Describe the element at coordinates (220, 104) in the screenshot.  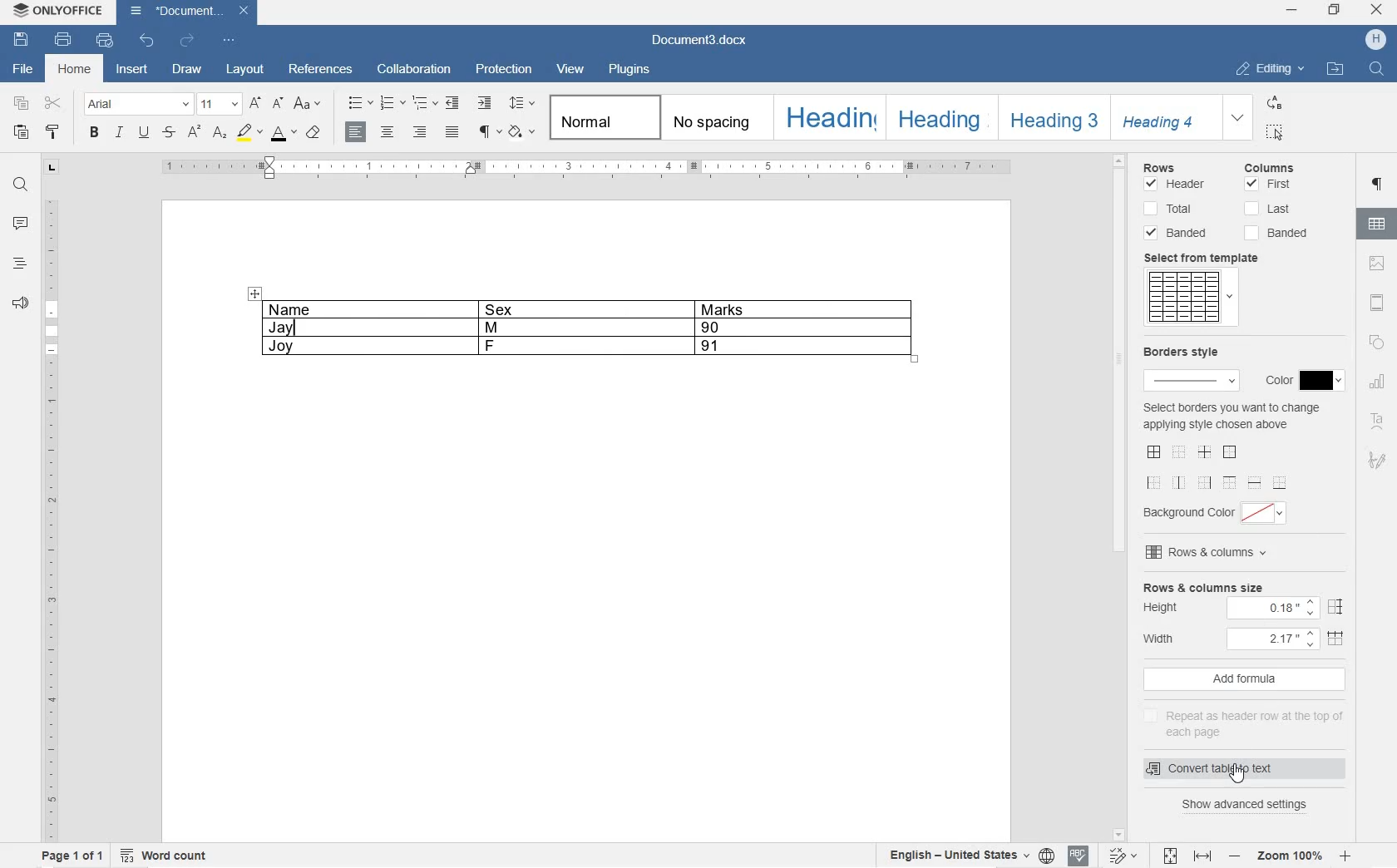
I see `FONT SIZE` at that location.